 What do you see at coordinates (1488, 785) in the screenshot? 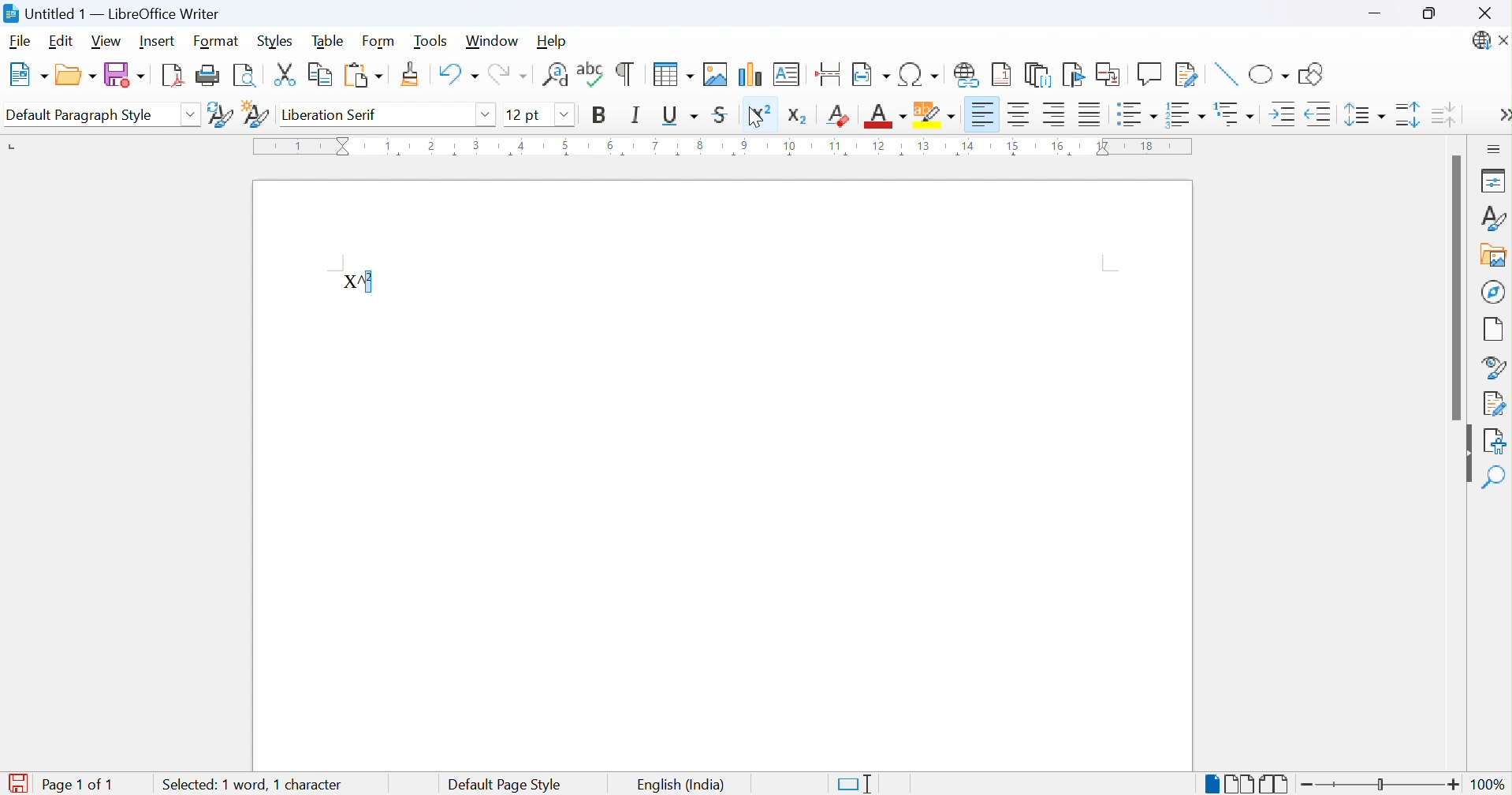
I see `100%` at bounding box center [1488, 785].